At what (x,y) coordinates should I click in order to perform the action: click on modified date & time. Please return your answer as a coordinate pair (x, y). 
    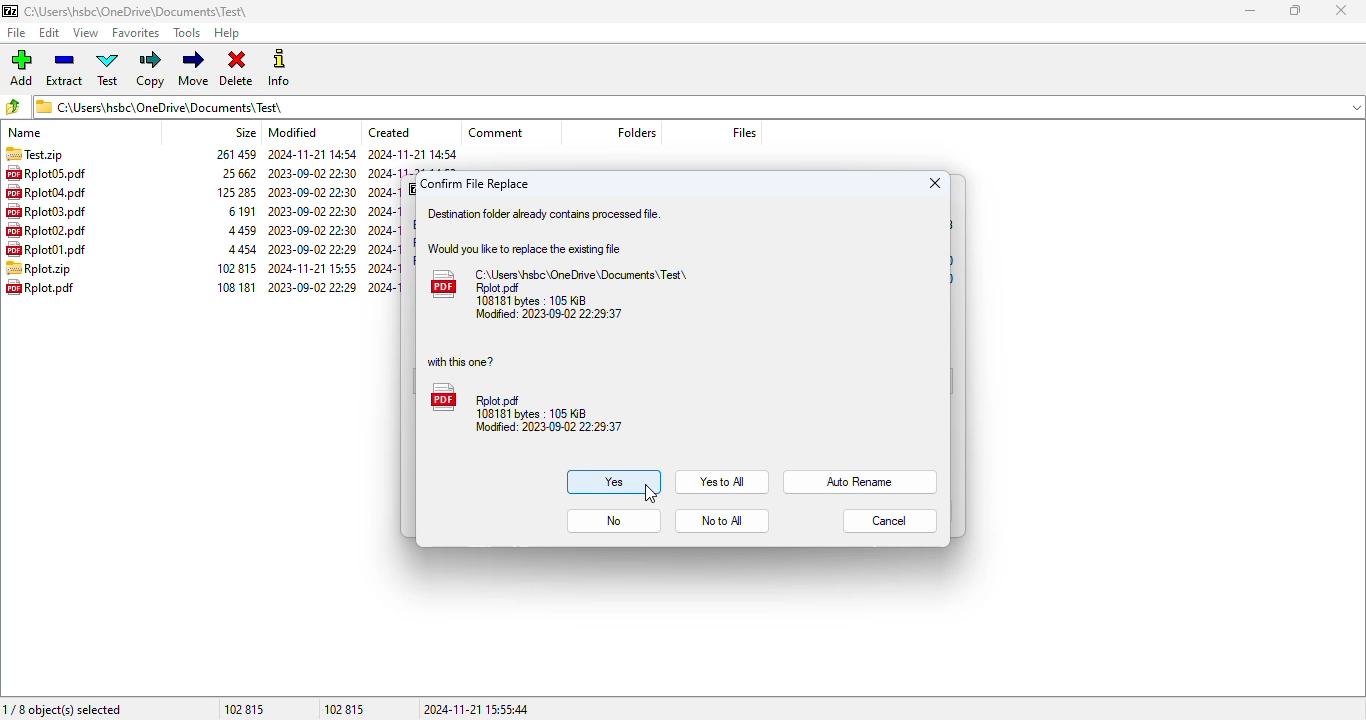
    Looking at the image, I should click on (312, 220).